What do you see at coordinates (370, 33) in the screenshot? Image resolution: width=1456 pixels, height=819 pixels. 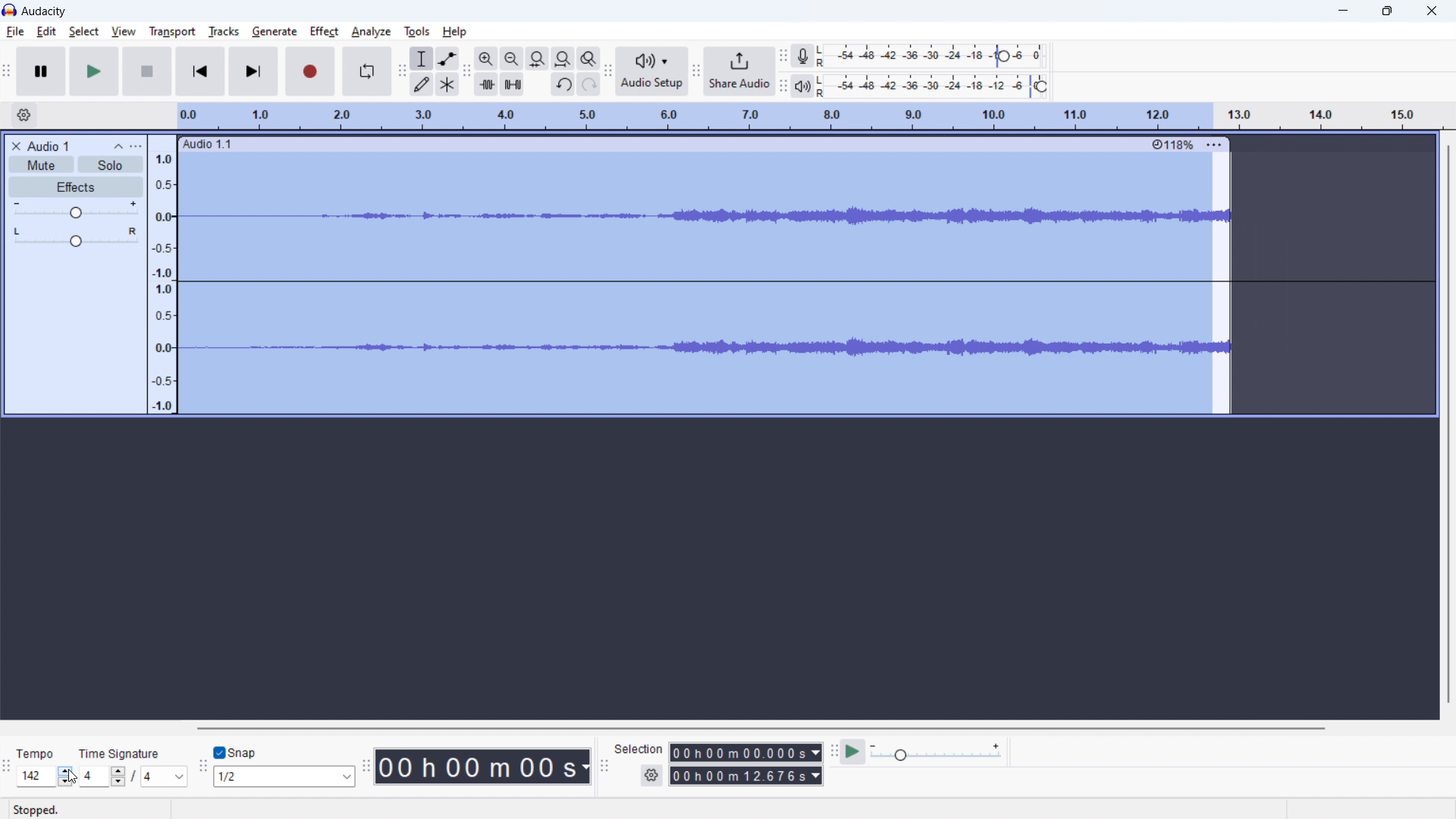 I see `analyze` at bounding box center [370, 33].